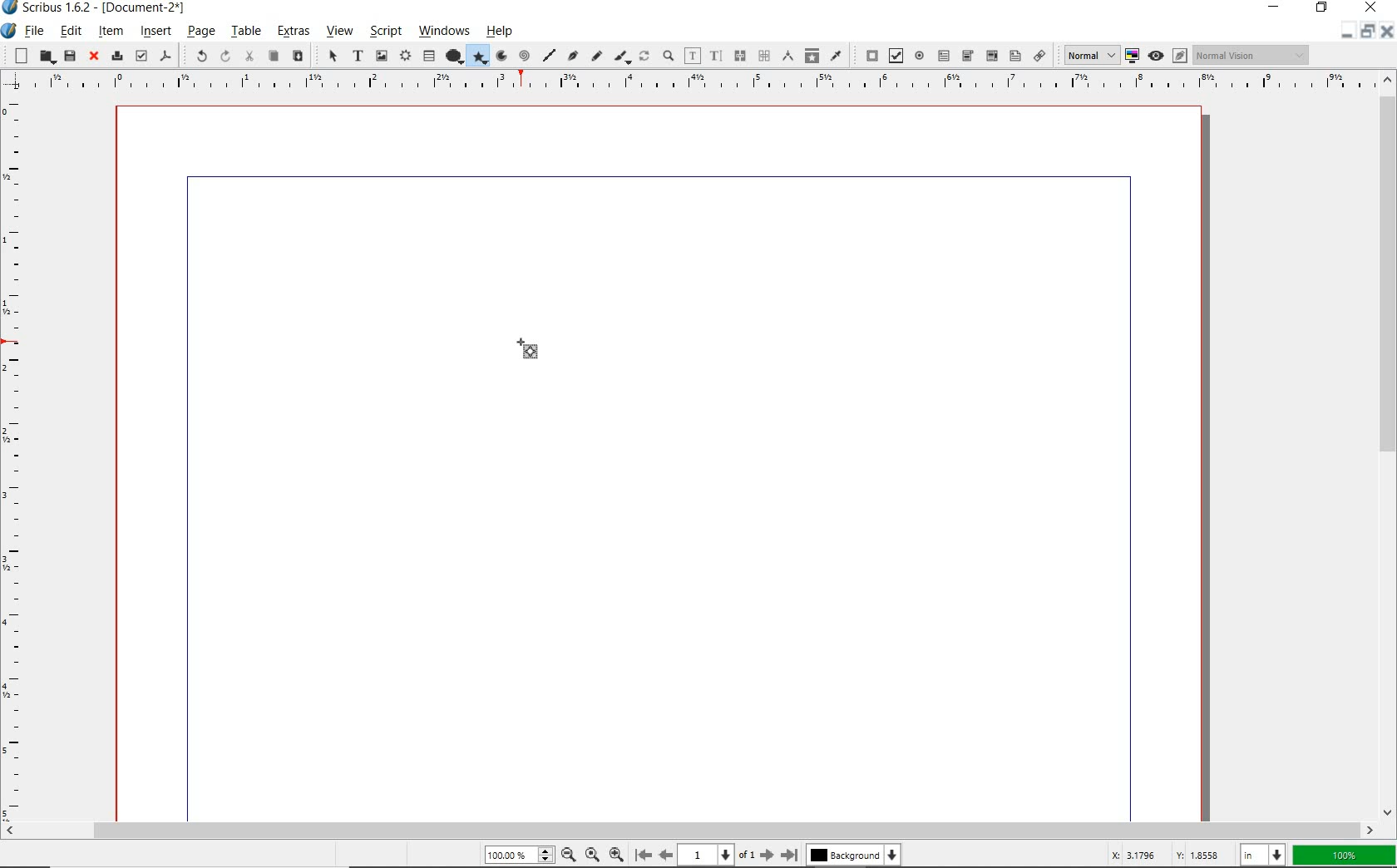  What do you see at coordinates (274, 56) in the screenshot?
I see `copy` at bounding box center [274, 56].